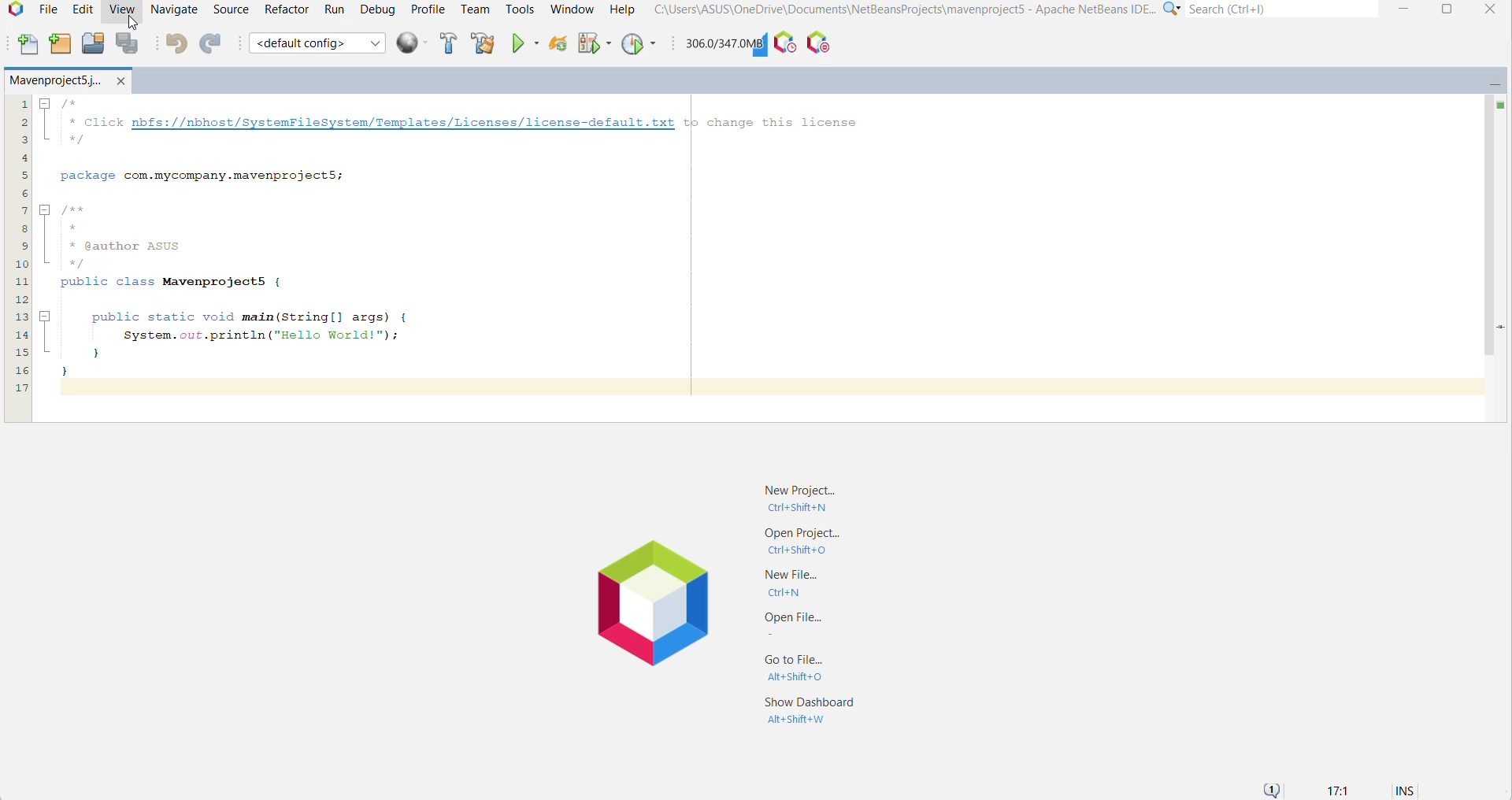 The width and height of the screenshot is (1512, 800). I want to click on | /** Click nbfs://nbhost/SystemFileSystem/Templates/Licenses/license-default.txt tp change this licensewy |package com.mycompany.mavenprojectS; , so click(507, 141).